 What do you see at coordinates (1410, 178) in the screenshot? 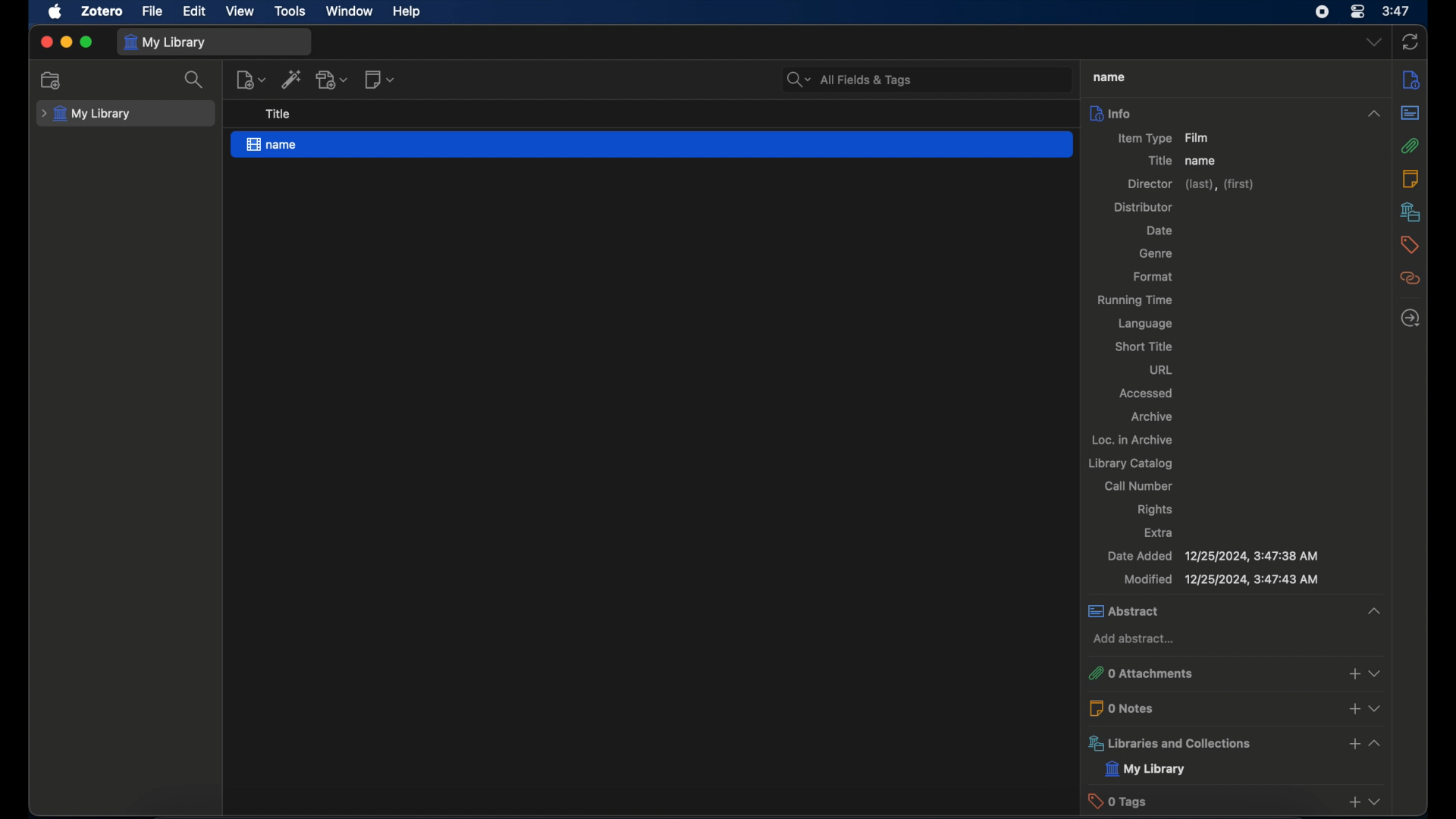
I see `notes` at bounding box center [1410, 178].